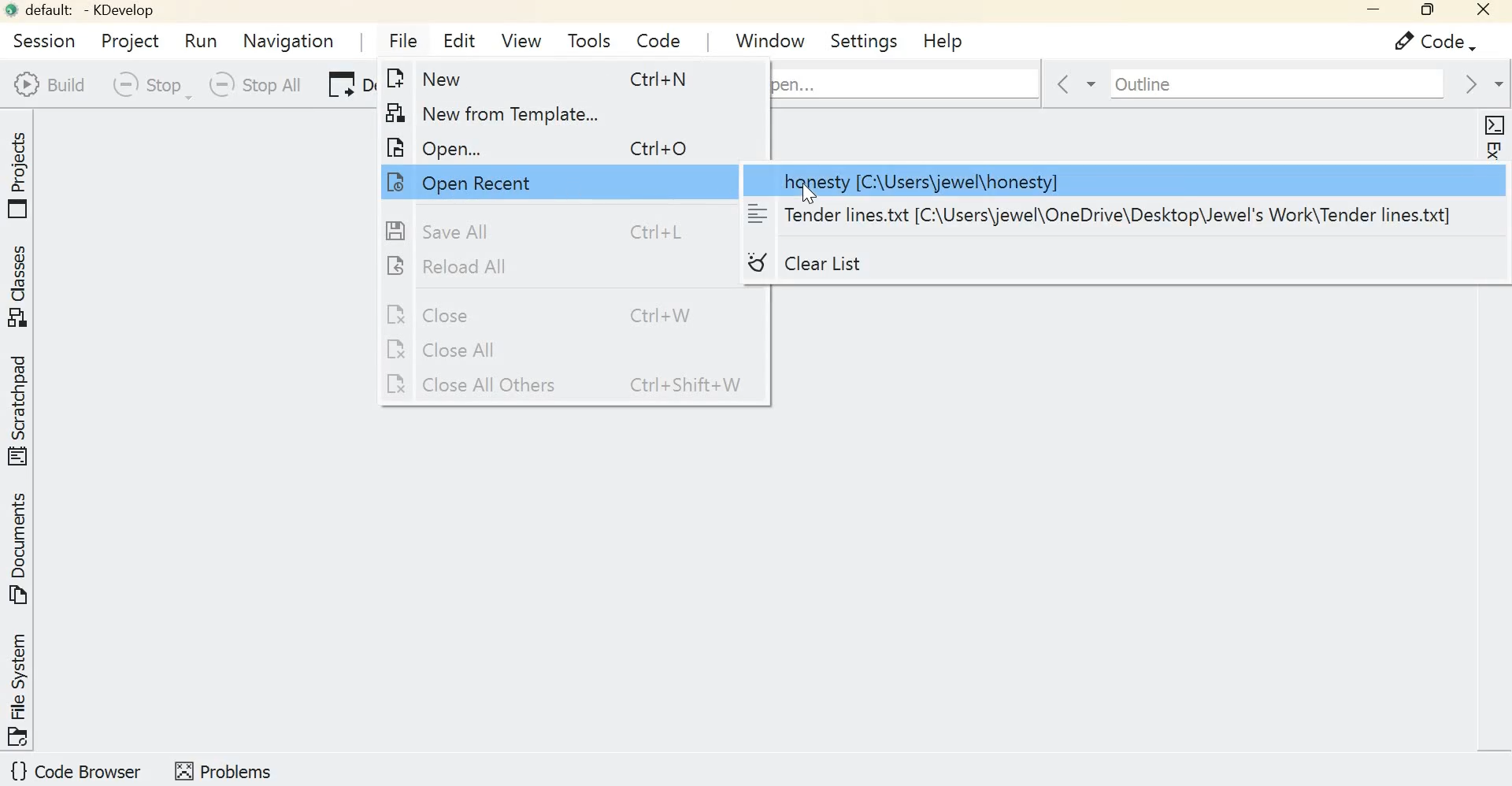 The width and height of the screenshot is (1512, 786). Describe the element at coordinates (1426, 42) in the screenshot. I see `Code` at that location.